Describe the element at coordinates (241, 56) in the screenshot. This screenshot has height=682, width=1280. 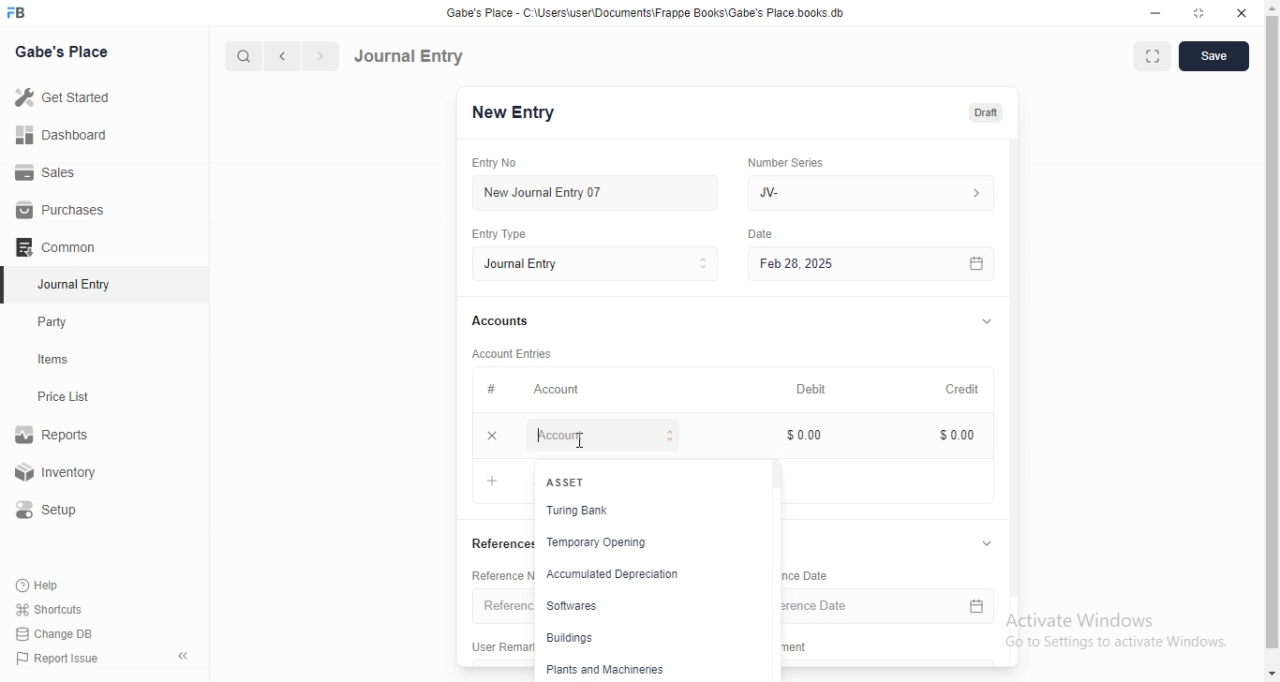
I see `search` at that location.